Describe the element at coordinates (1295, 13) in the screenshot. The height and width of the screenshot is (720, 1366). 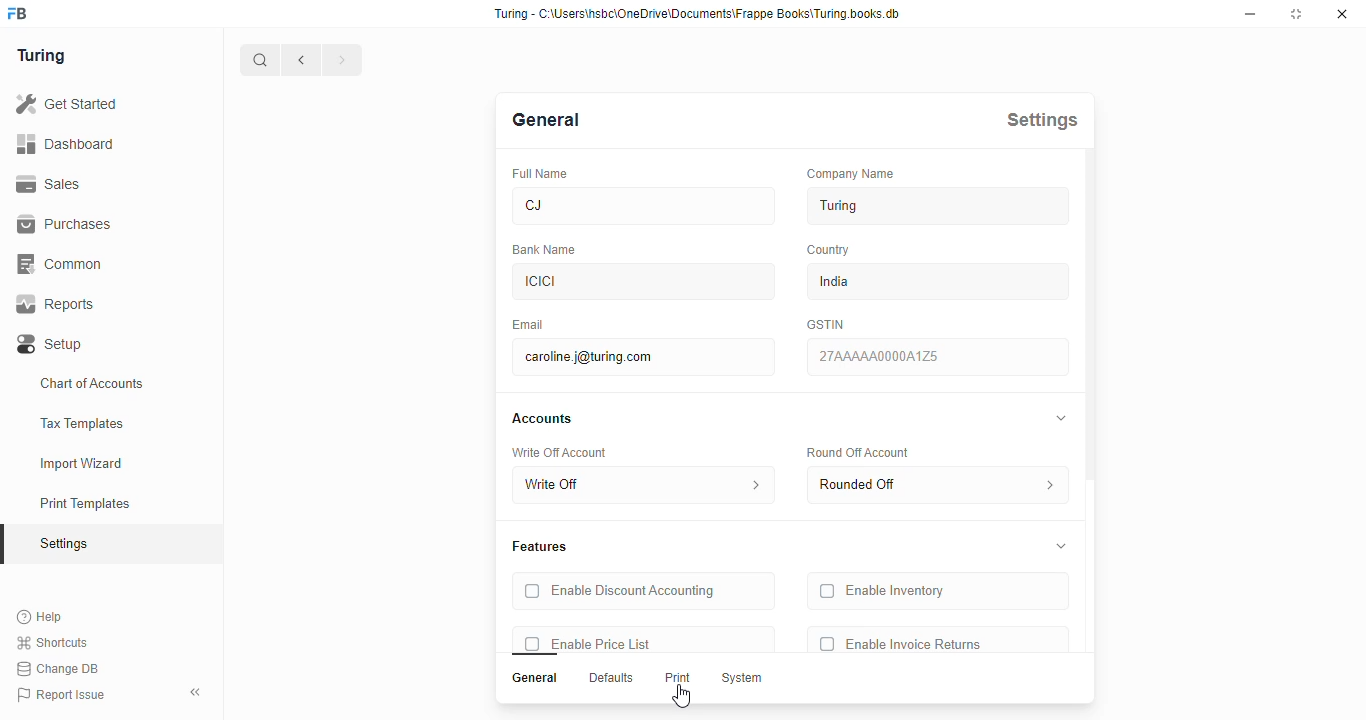
I see `toggle maximize` at that location.